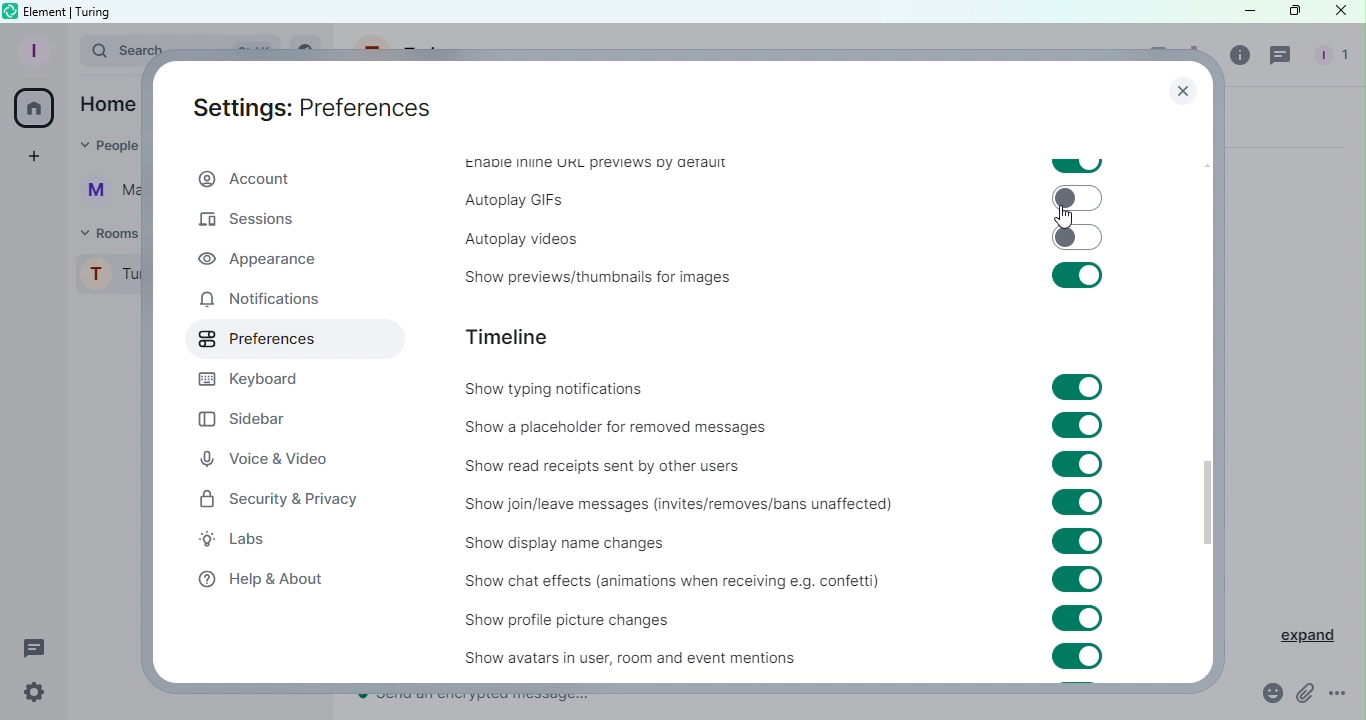  What do you see at coordinates (96, 11) in the screenshot?
I see `turing` at bounding box center [96, 11].